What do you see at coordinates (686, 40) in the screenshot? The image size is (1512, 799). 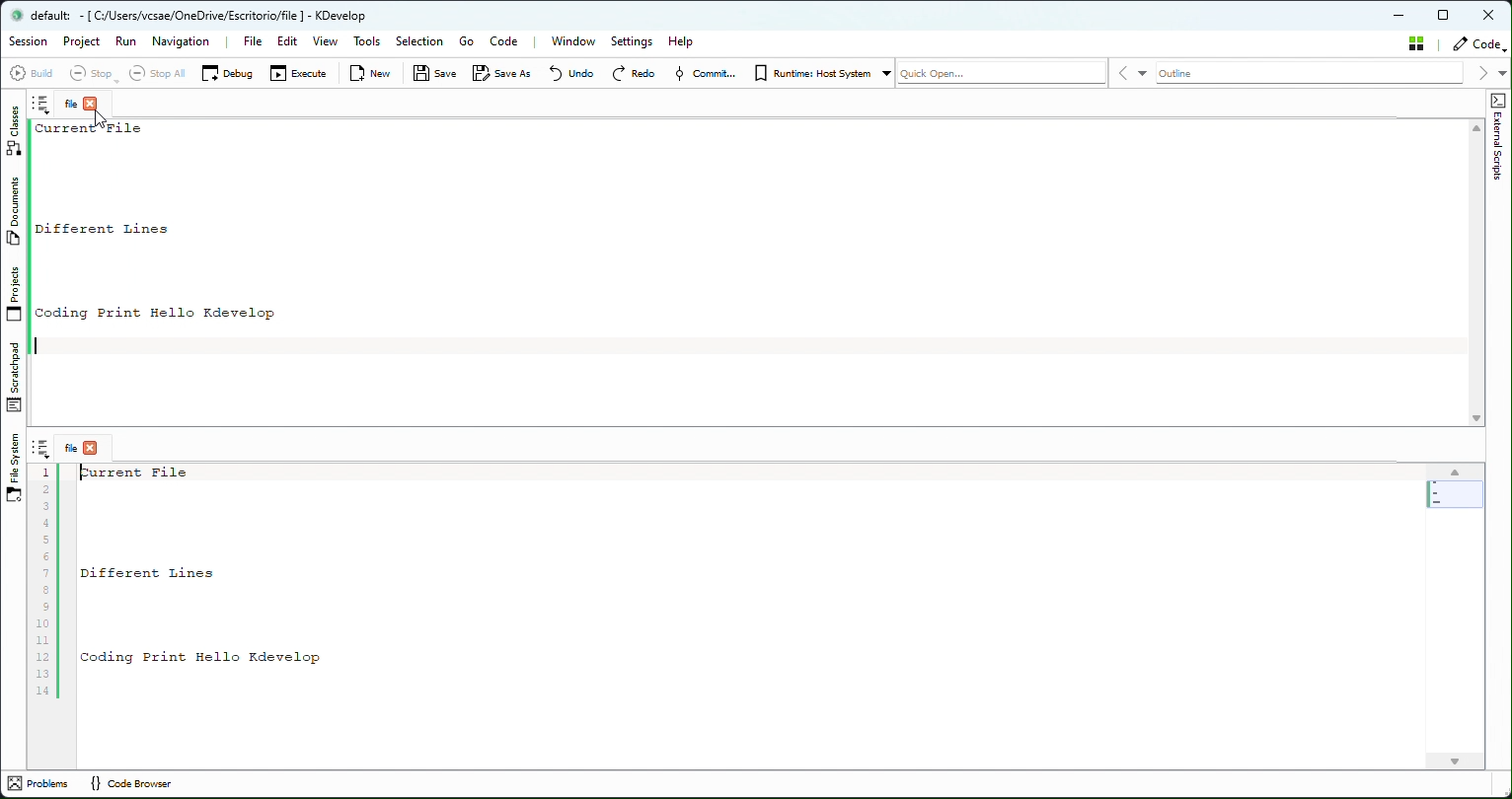 I see `Help` at bounding box center [686, 40].